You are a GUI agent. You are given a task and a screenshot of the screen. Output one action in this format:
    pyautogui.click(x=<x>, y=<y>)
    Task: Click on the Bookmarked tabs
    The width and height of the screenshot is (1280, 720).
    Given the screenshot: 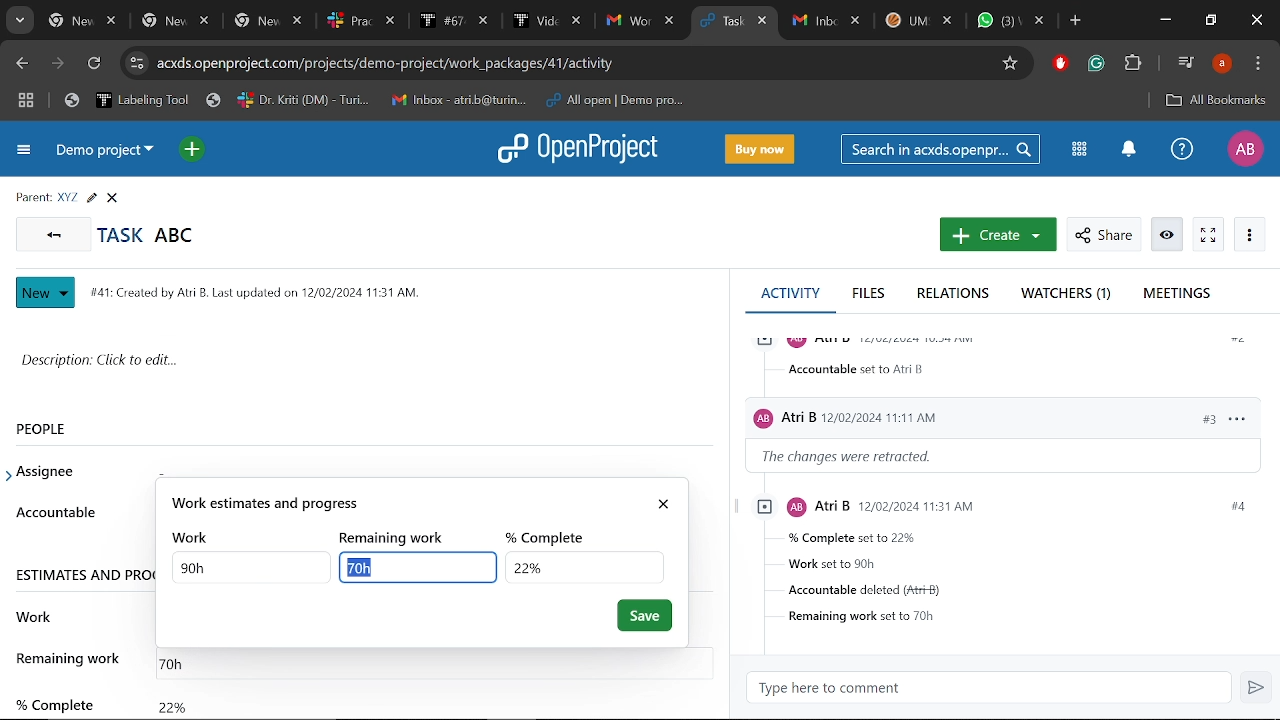 What is the action you would take?
    pyautogui.click(x=378, y=101)
    